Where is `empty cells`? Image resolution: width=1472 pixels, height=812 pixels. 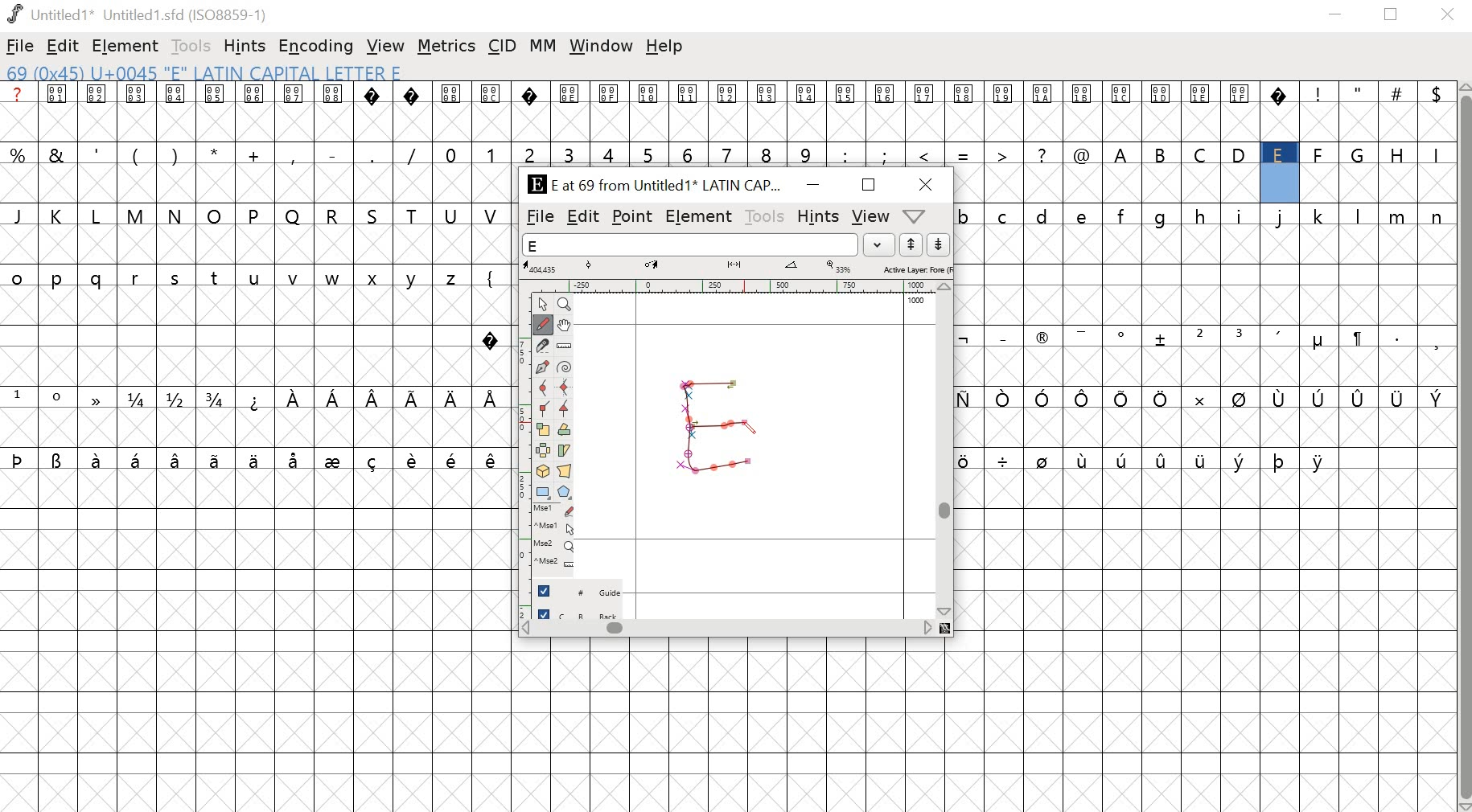
empty cells is located at coordinates (1205, 429).